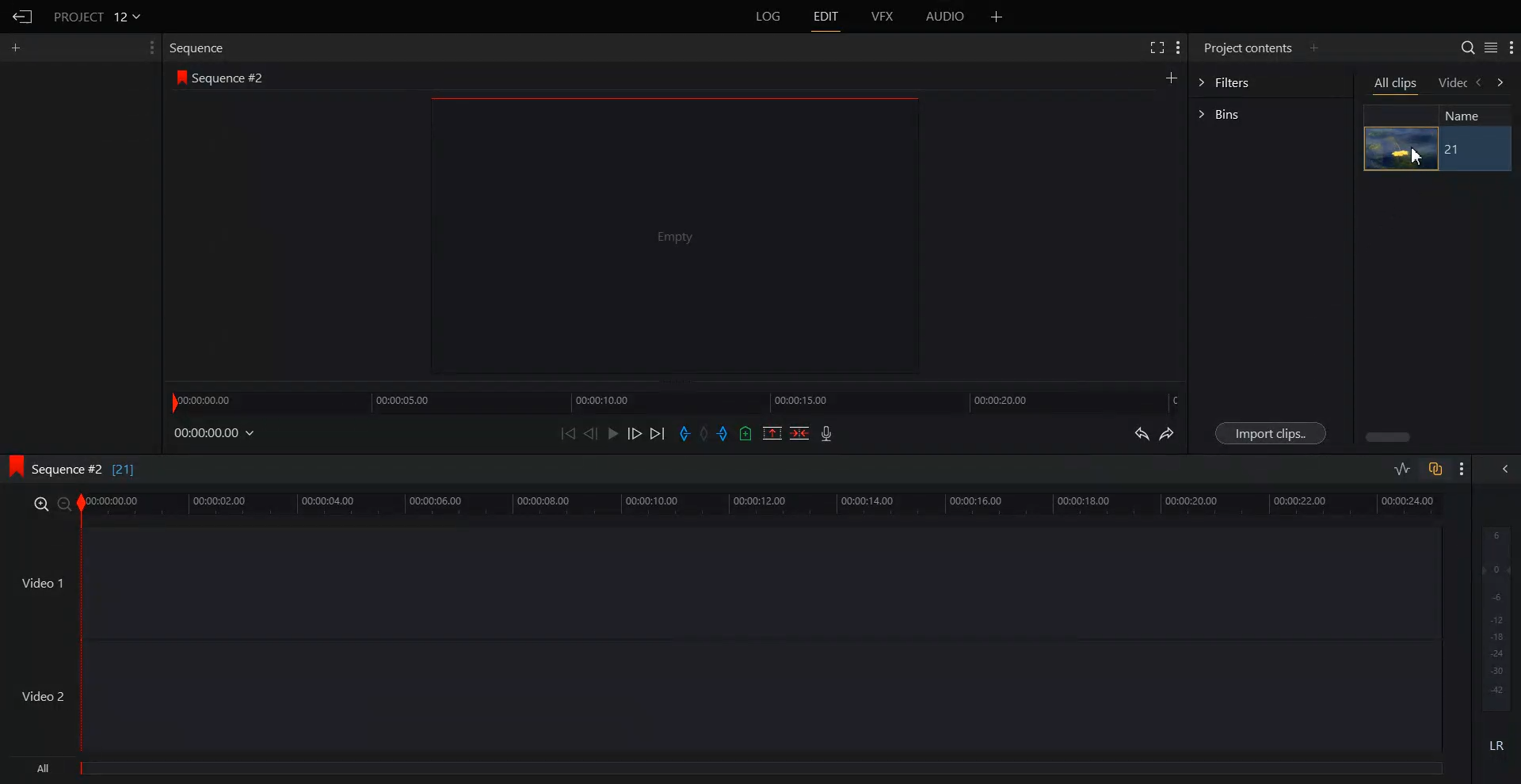  I want to click on Add an cue to current position, so click(746, 433).